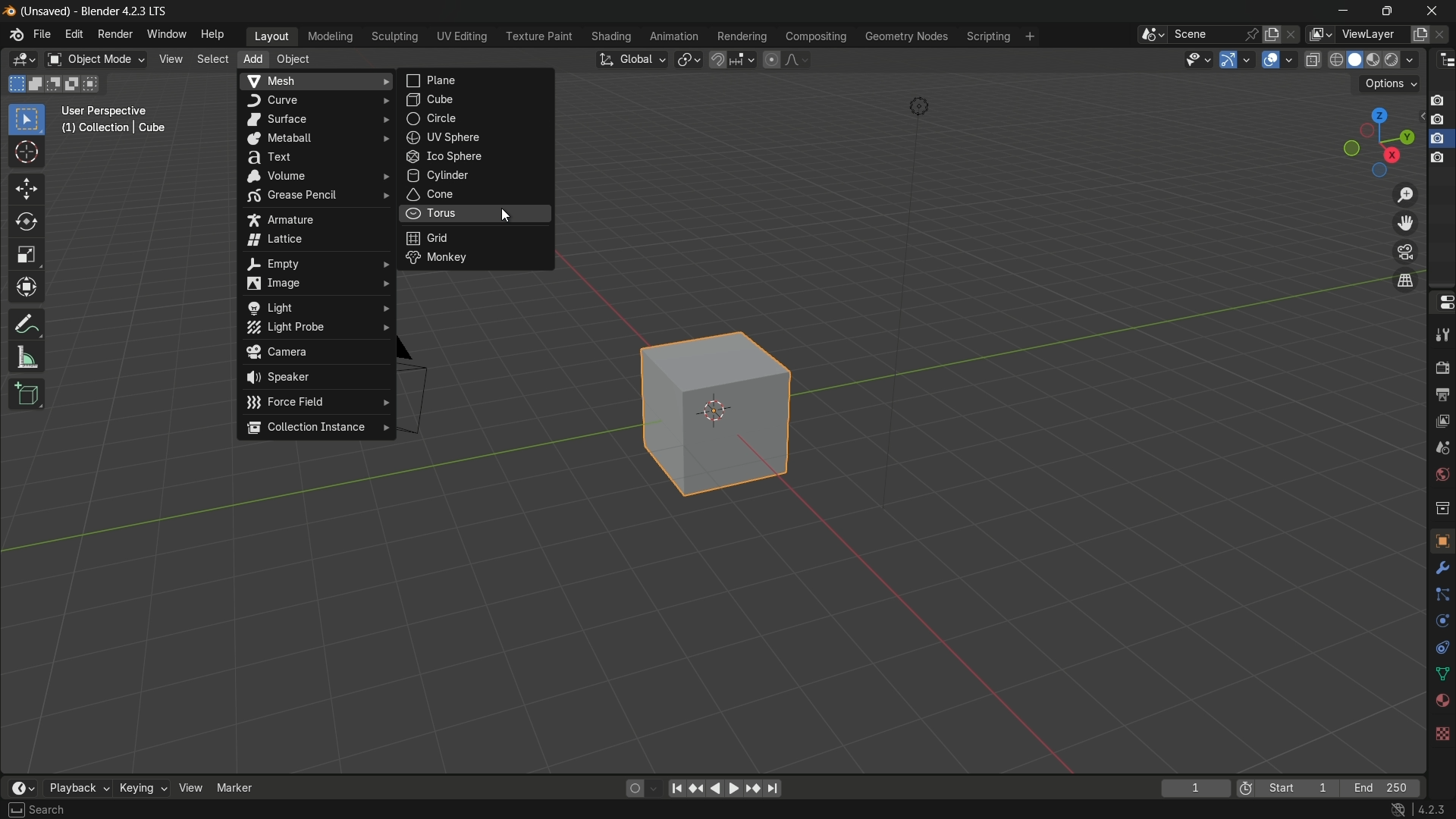  I want to click on keyboard space bar to search, so click(16, 810).